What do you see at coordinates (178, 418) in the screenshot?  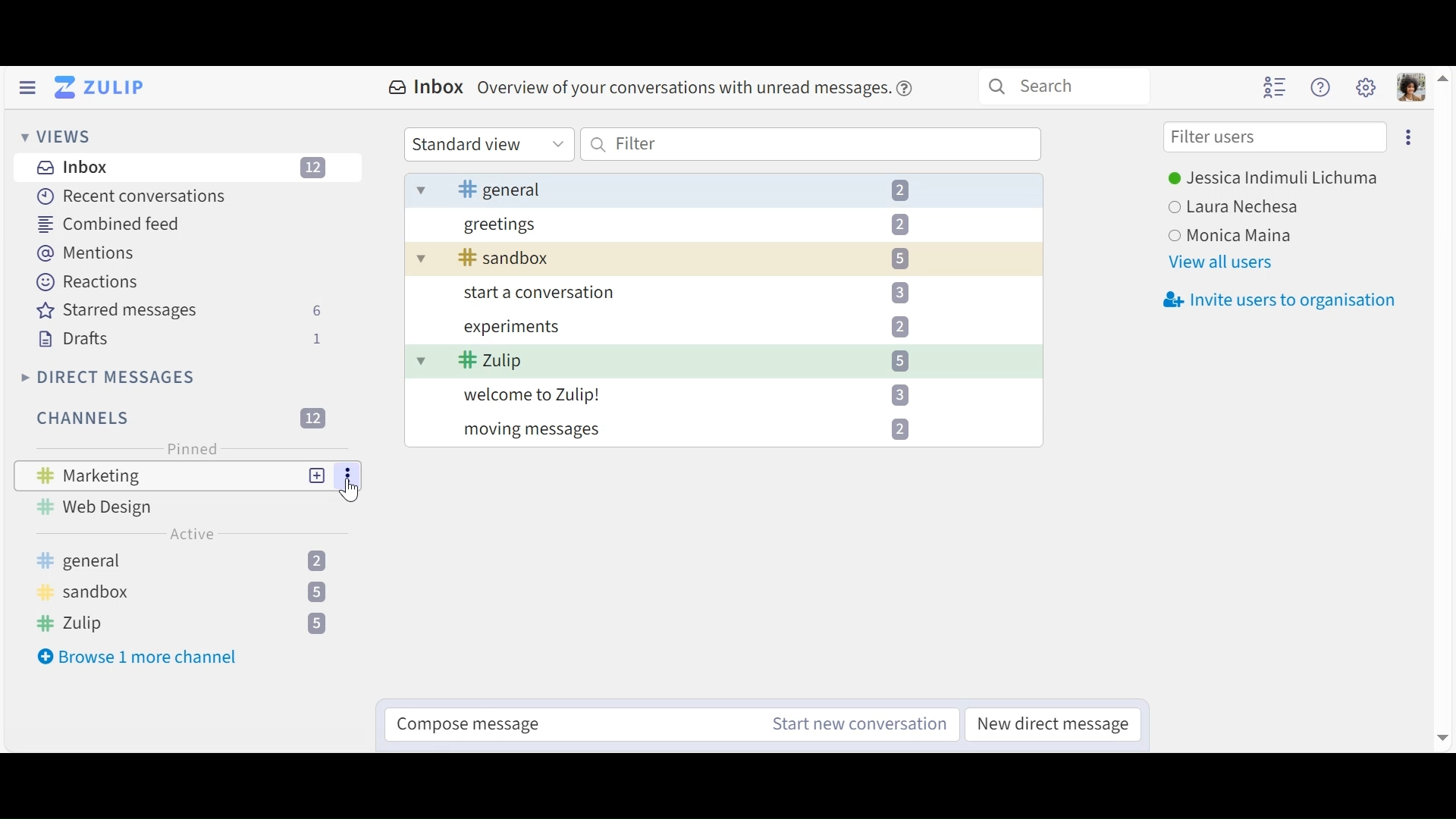 I see `Filter Channels` at bounding box center [178, 418].